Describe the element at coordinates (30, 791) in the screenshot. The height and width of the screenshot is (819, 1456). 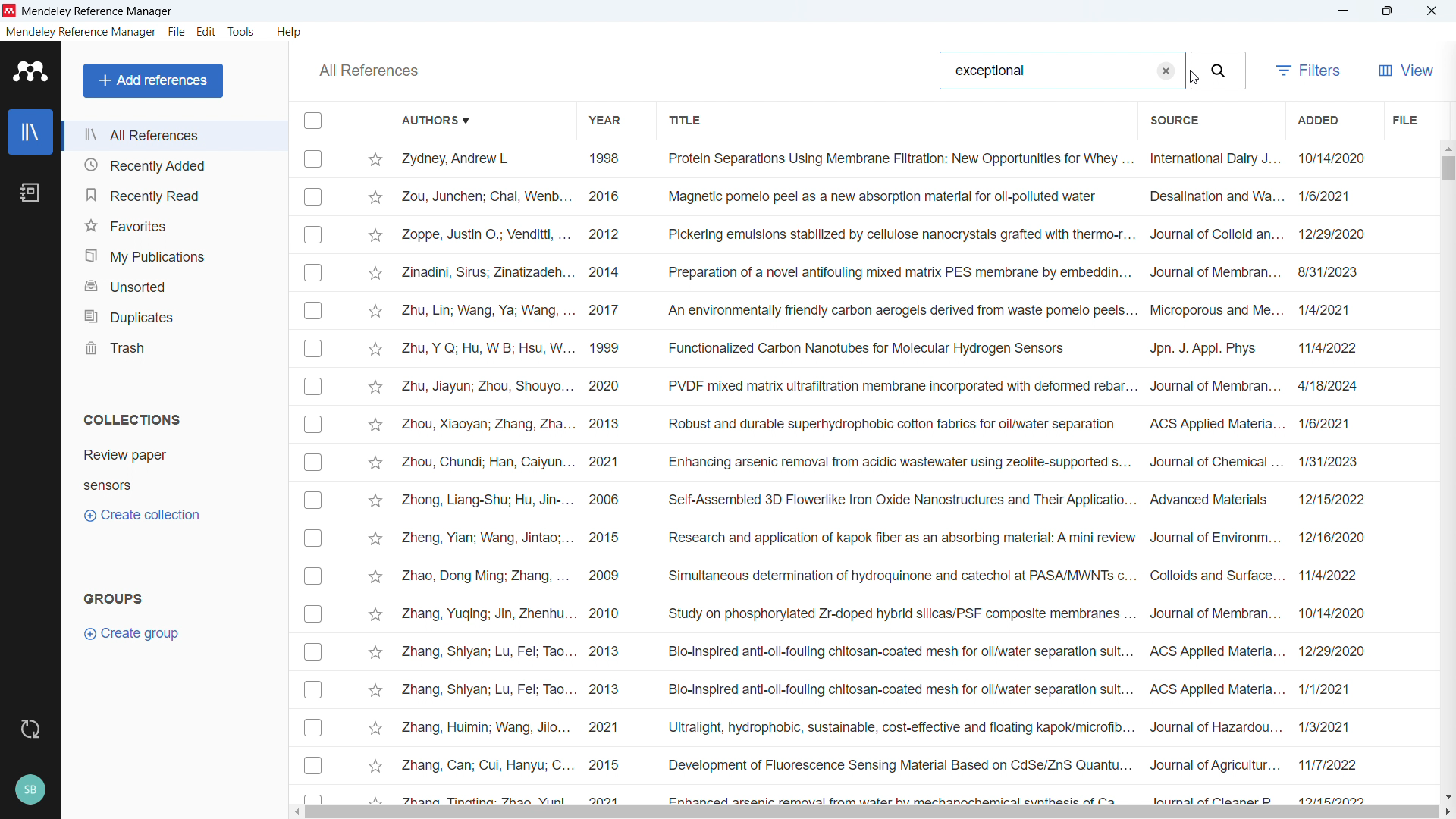
I see `Profile ` at that location.